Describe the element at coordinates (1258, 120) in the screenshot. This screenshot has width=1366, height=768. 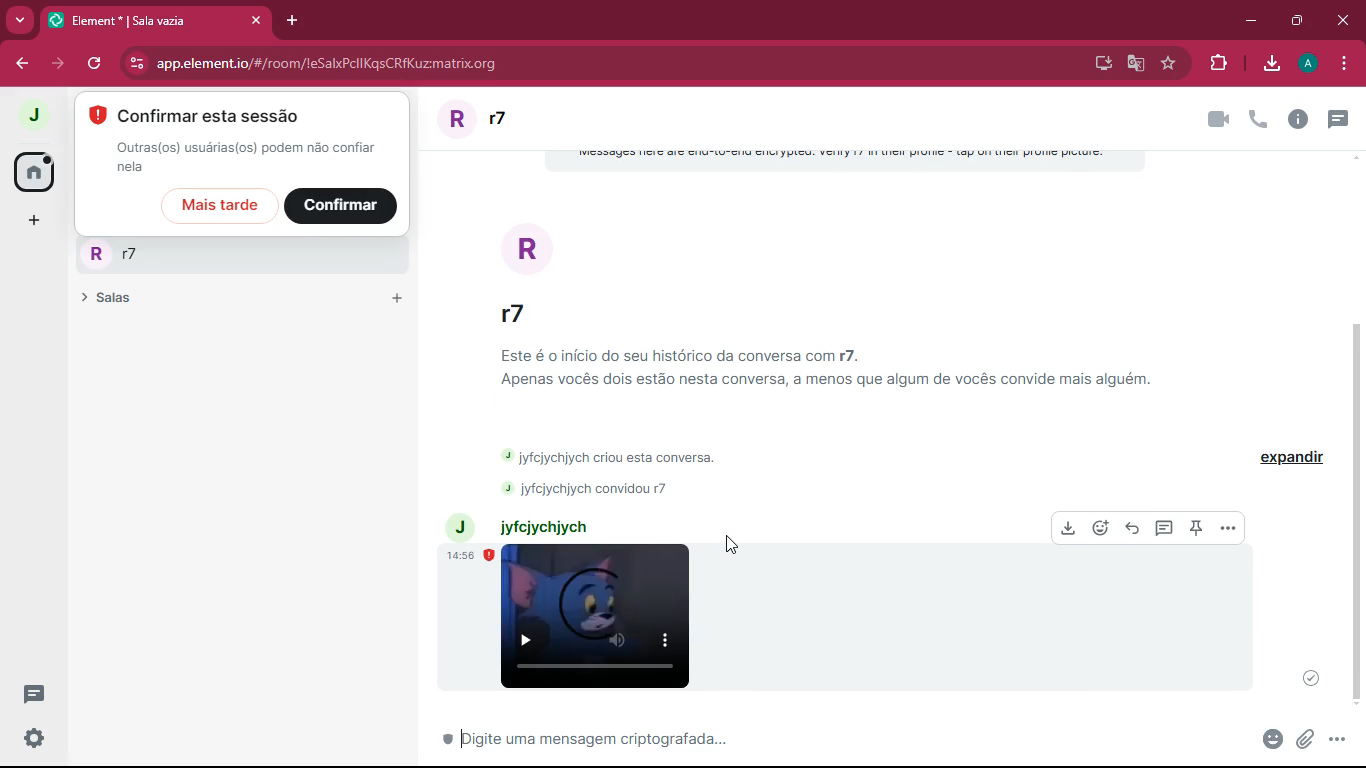
I see `new message` at that location.